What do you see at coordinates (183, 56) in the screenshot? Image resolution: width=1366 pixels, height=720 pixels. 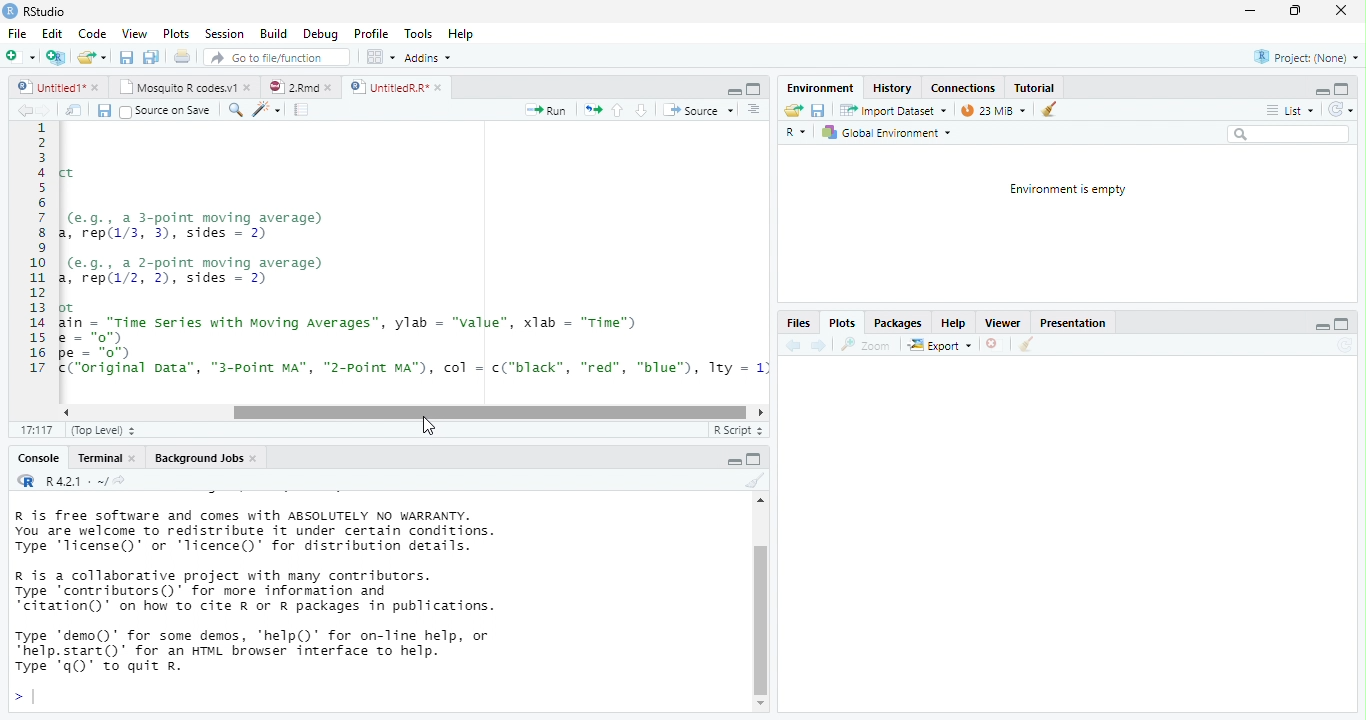 I see `print current file` at bounding box center [183, 56].